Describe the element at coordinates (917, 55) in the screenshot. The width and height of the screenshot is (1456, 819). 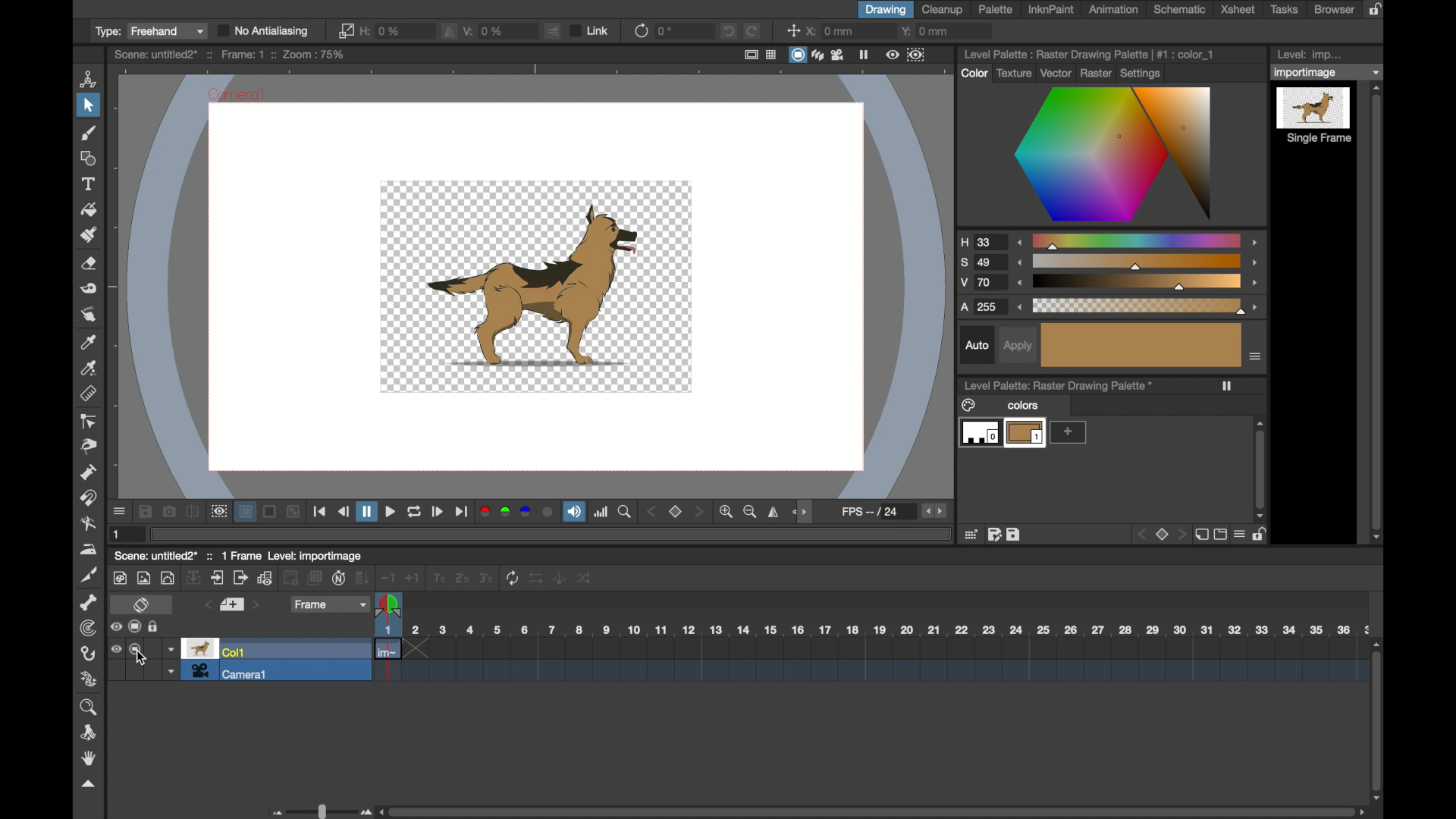
I see `frame` at that location.